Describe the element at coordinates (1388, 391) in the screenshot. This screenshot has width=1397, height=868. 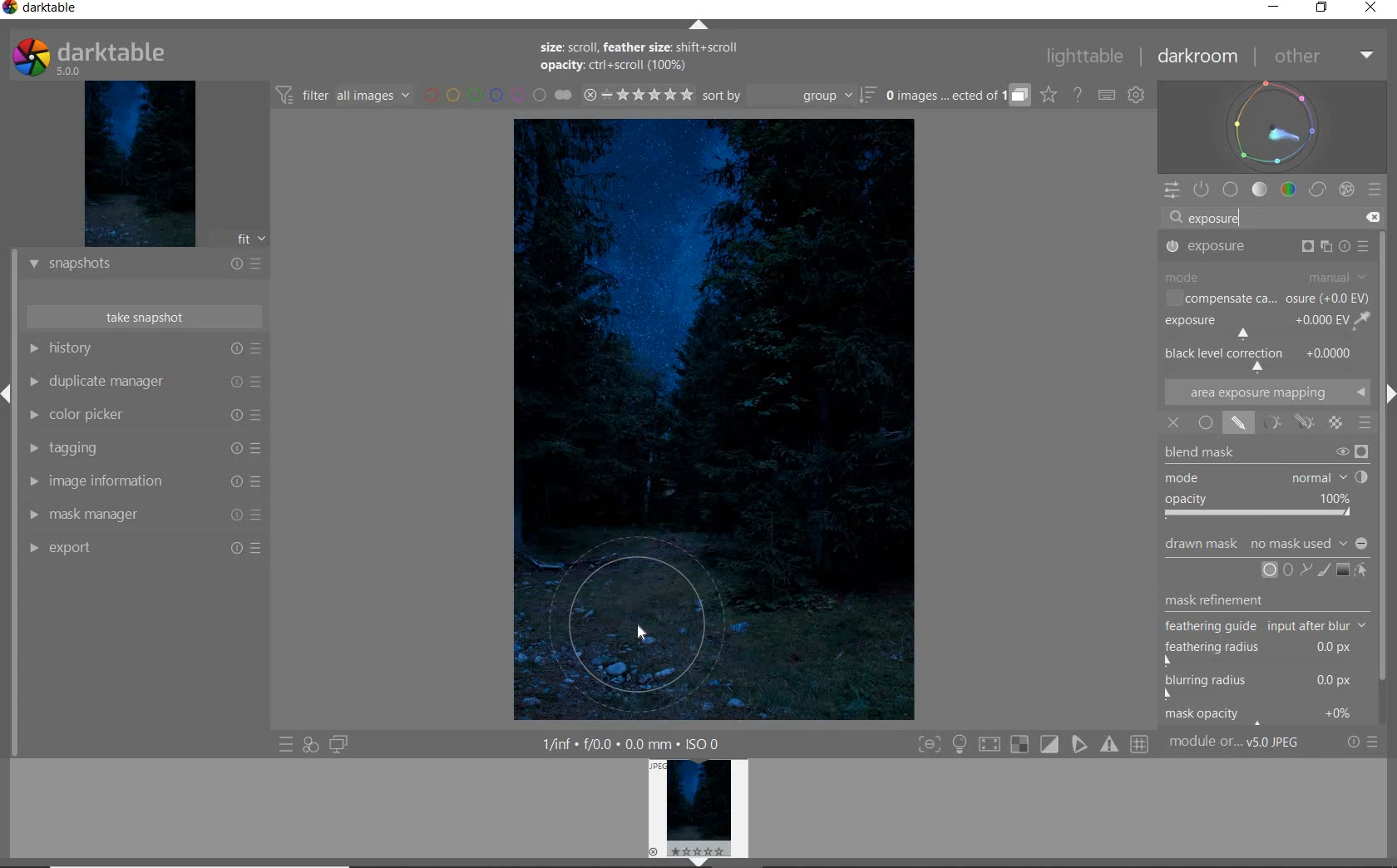
I see `Expand/Collapse` at that location.